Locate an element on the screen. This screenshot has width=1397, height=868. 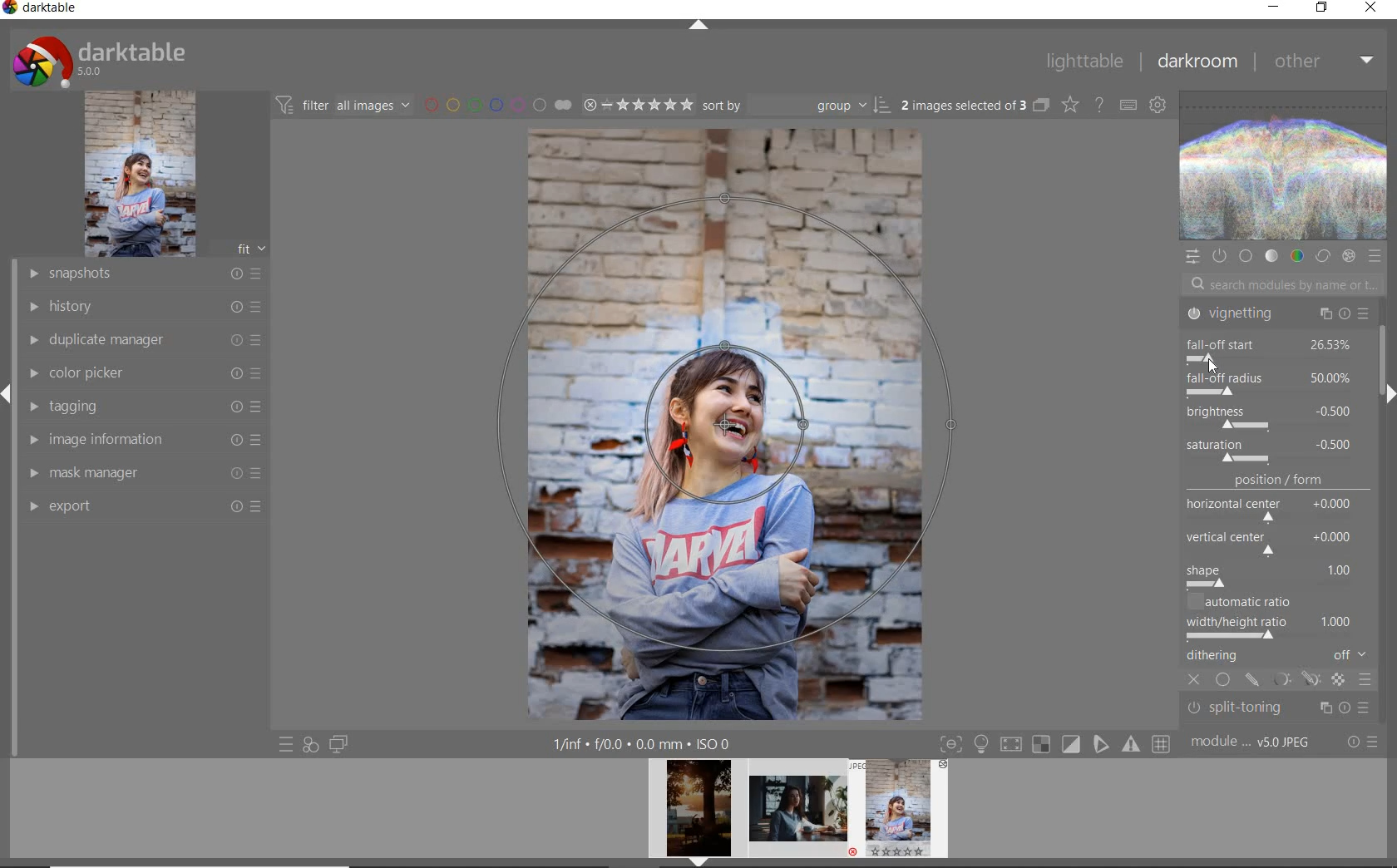
duplicate manager is located at coordinates (146, 340).